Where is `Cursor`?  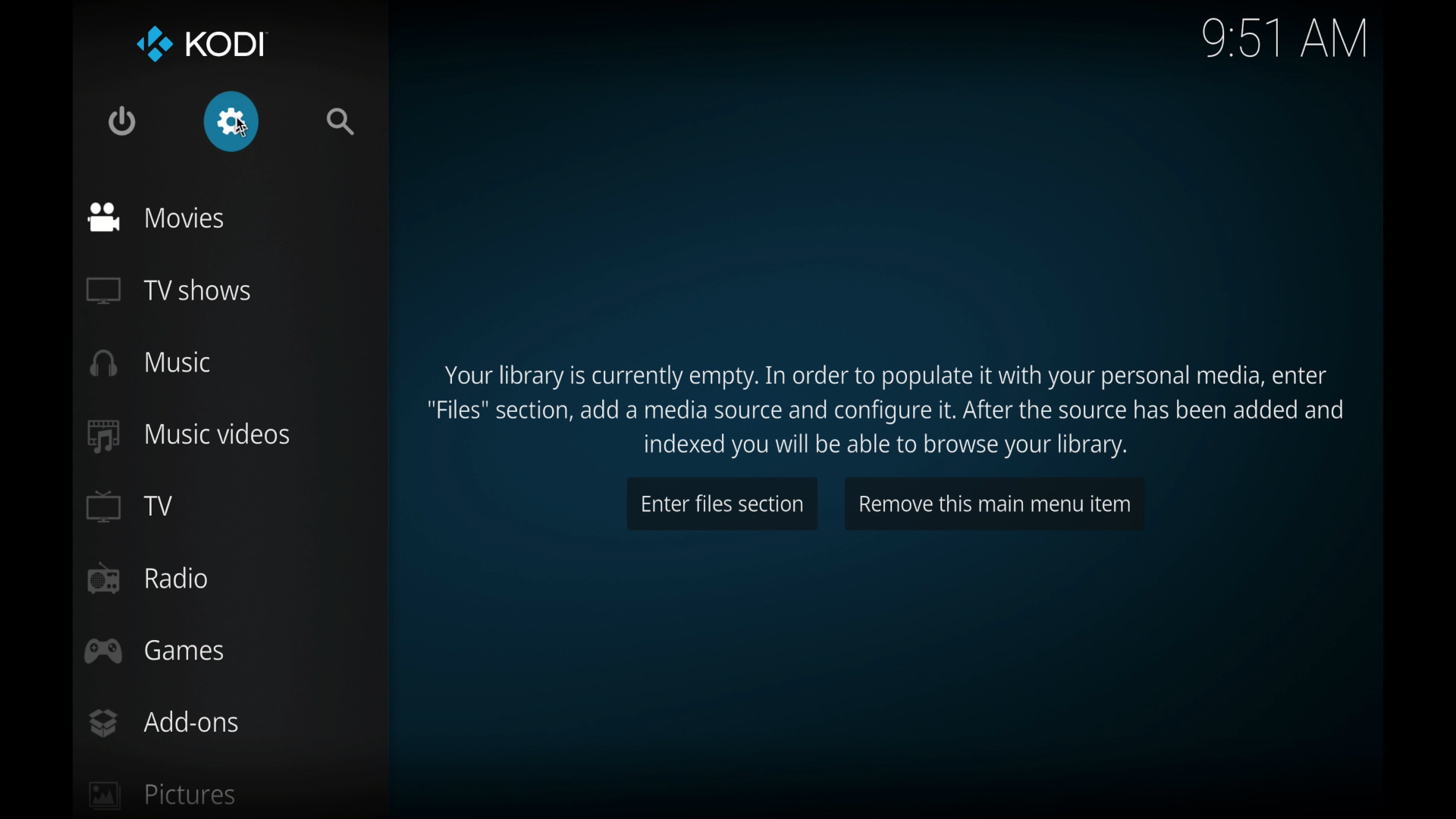 Cursor is located at coordinates (236, 127).